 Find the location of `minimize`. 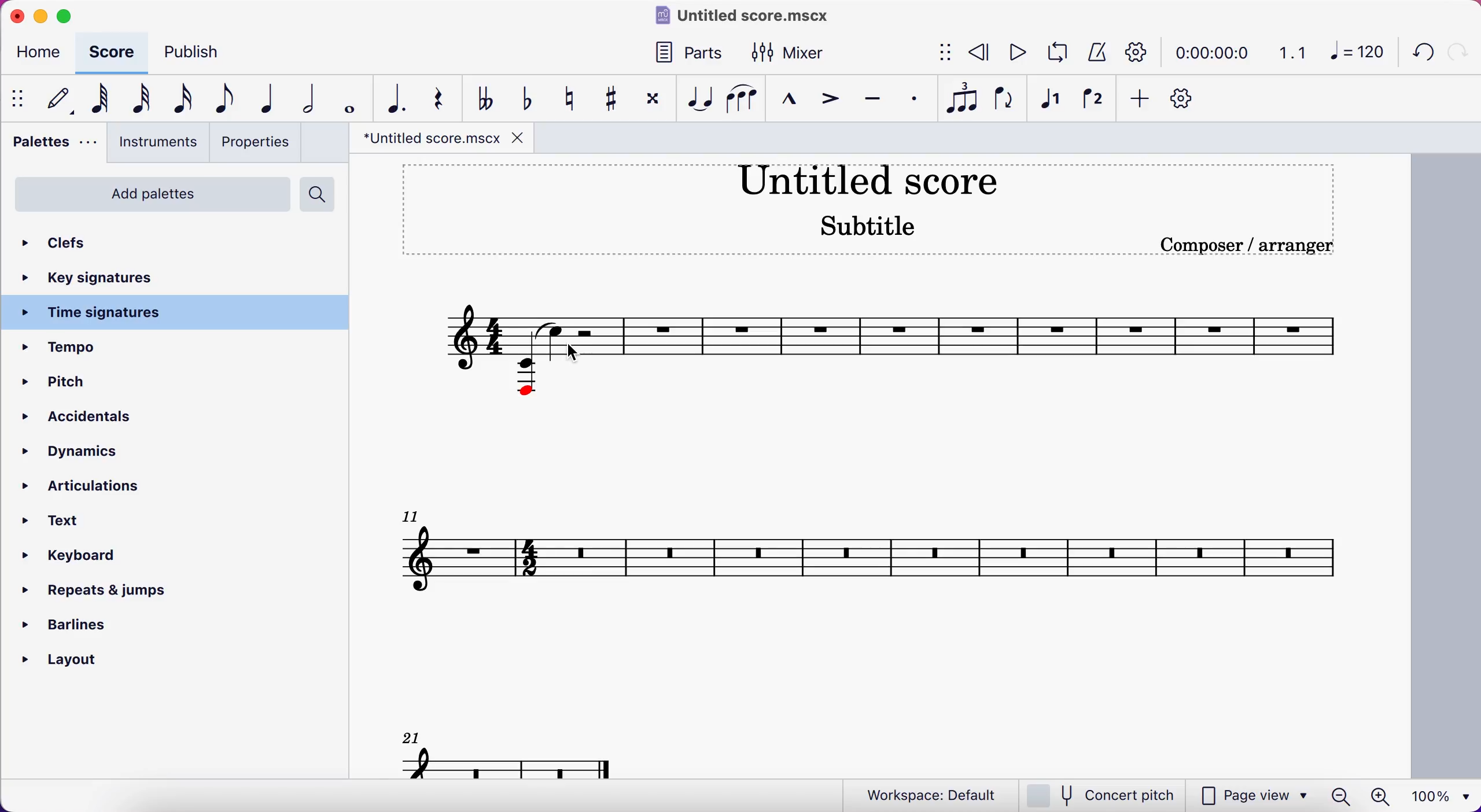

minimize is located at coordinates (40, 16).